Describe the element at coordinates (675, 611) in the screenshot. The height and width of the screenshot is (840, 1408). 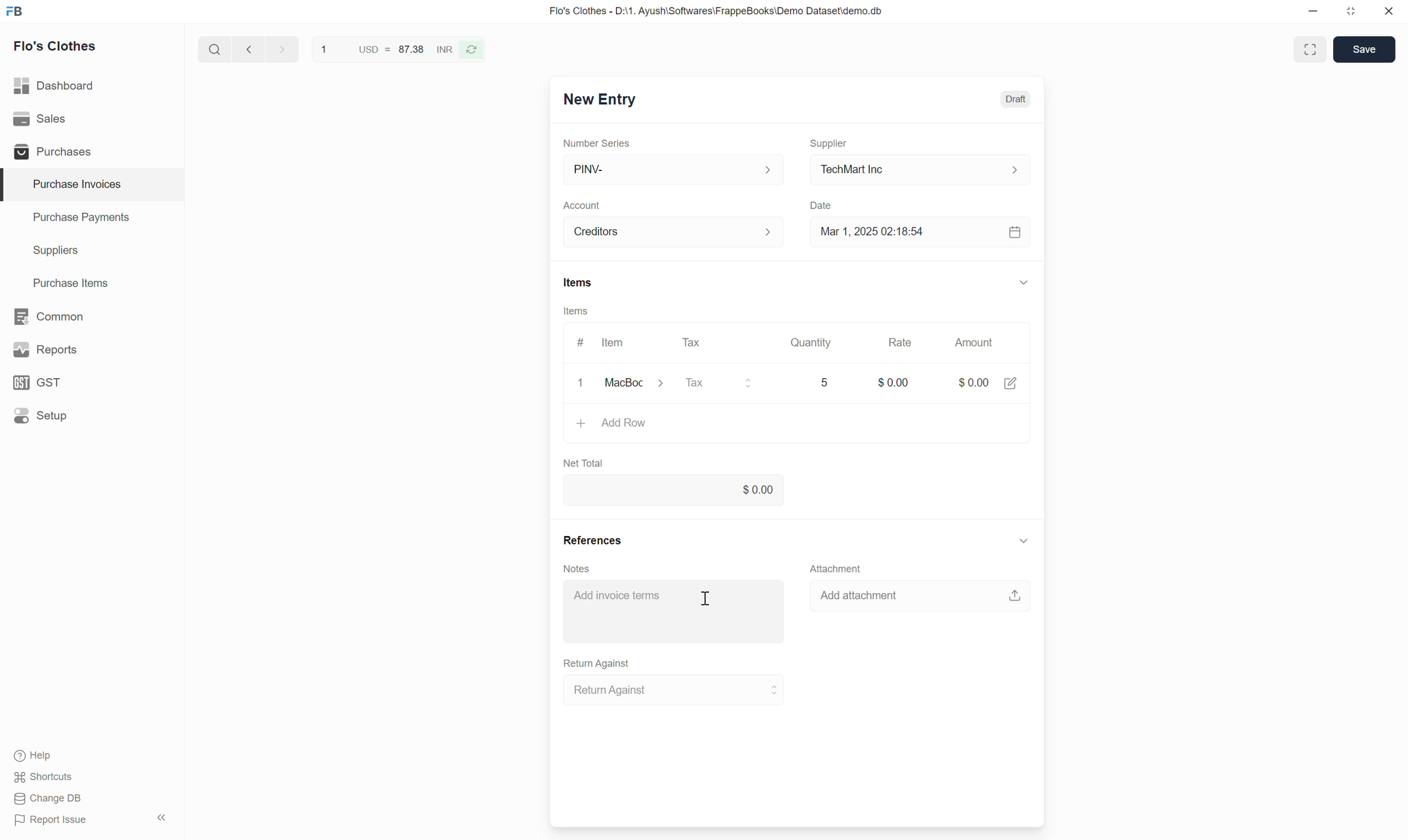
I see `Add invoice terms` at that location.